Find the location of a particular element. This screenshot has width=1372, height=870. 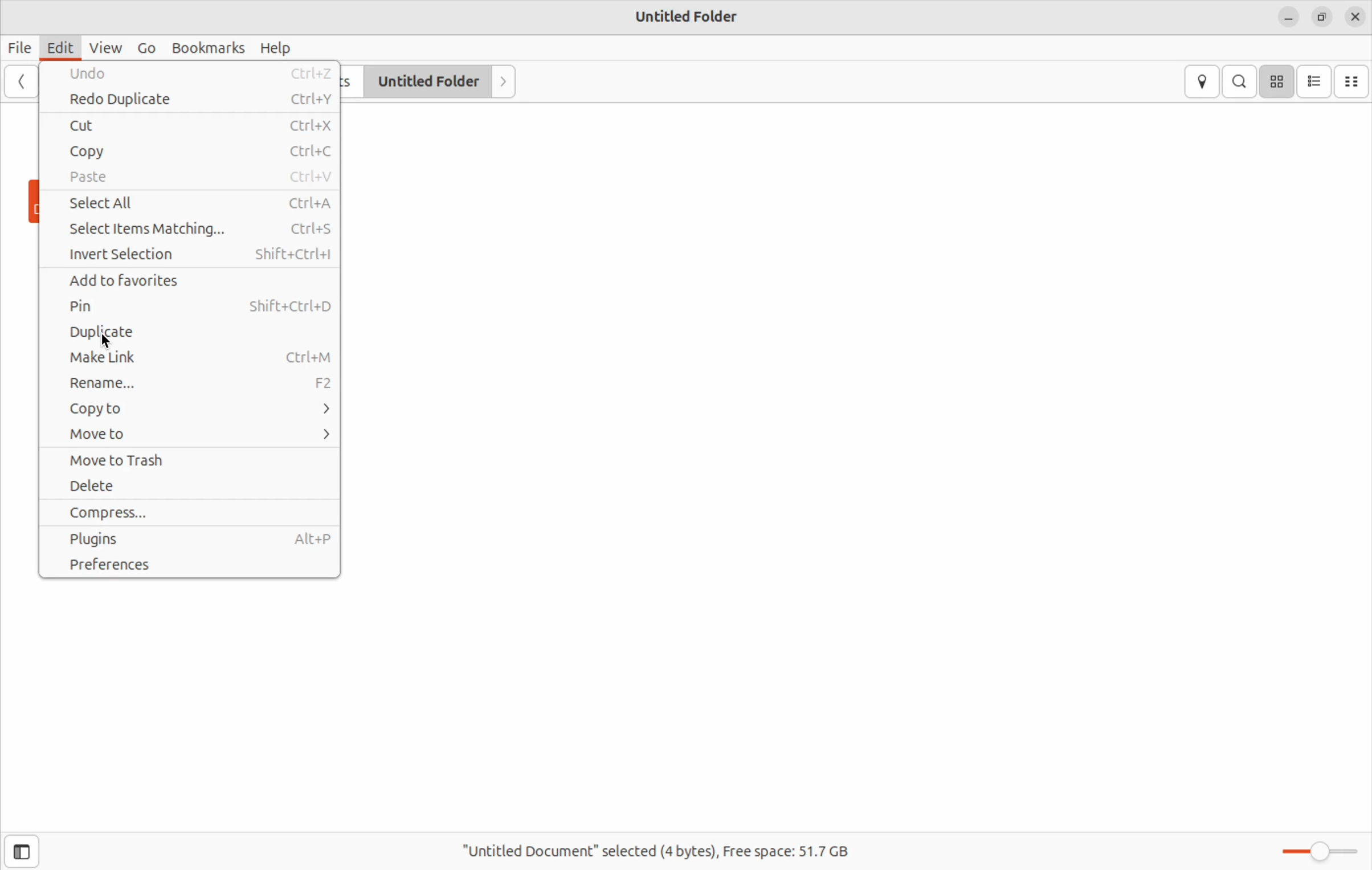

Undo is located at coordinates (188, 74).